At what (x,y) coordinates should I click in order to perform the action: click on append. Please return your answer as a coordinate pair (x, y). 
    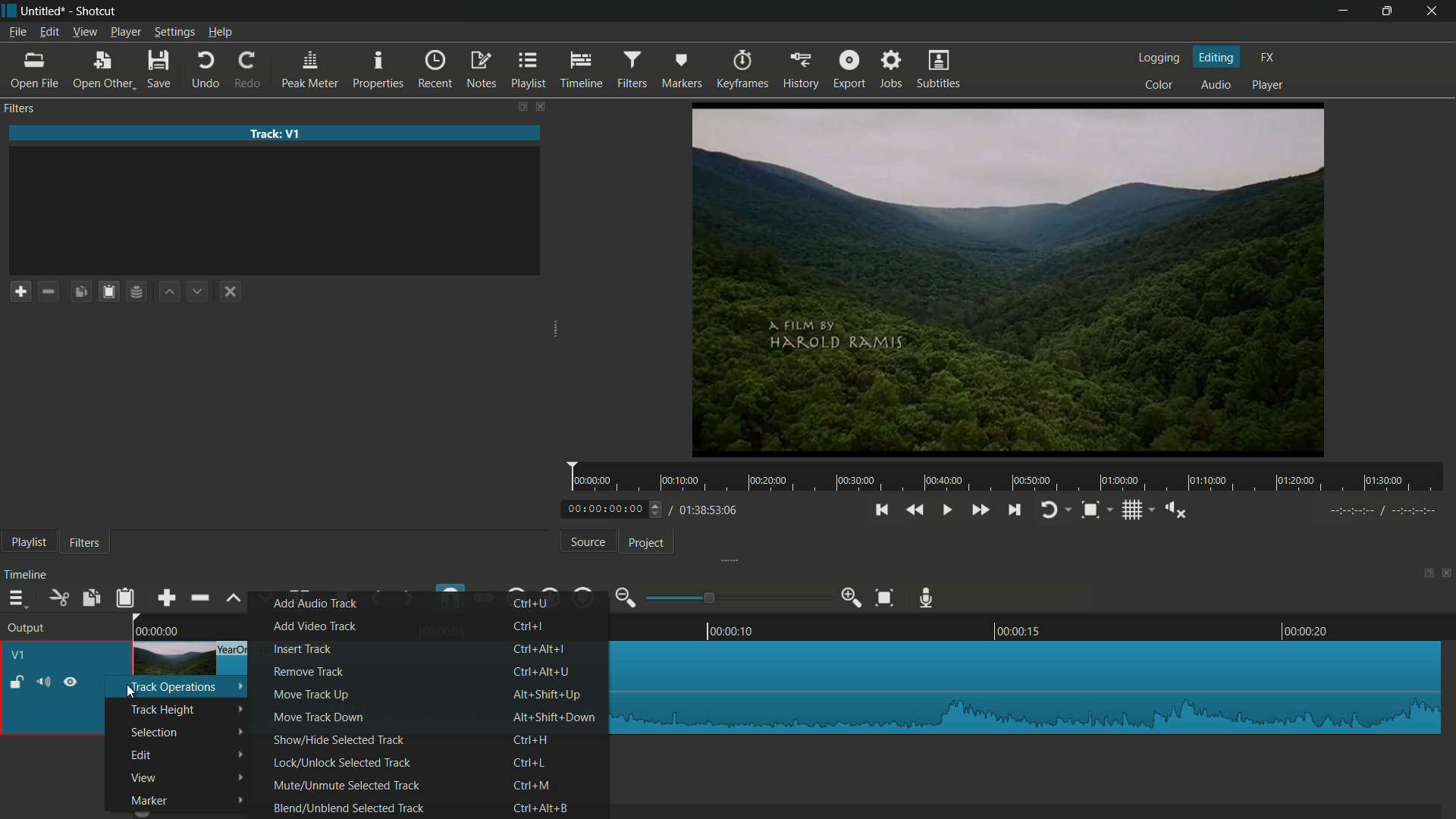
    Looking at the image, I should click on (163, 598).